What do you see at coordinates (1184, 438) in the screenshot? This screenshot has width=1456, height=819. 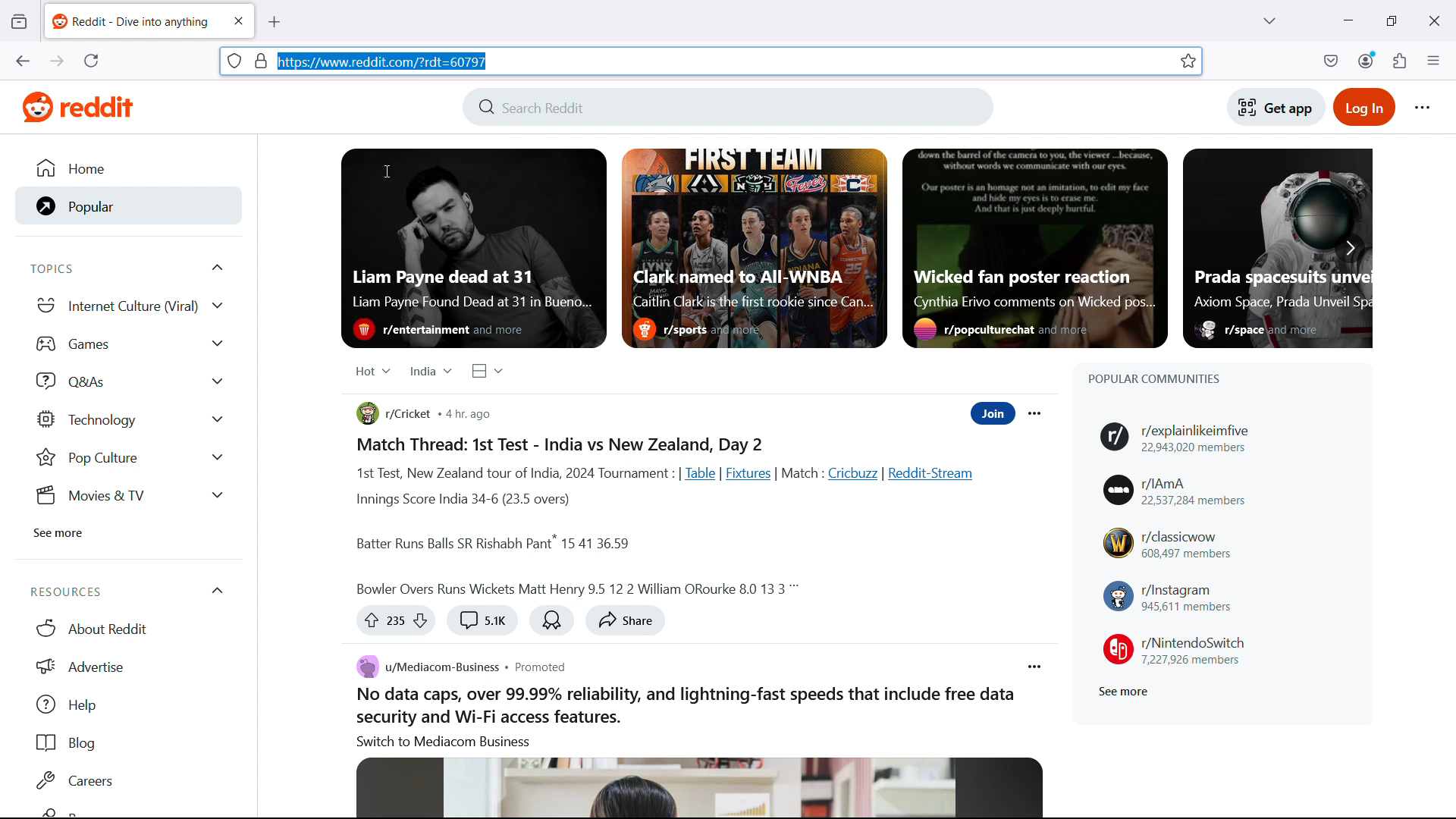 I see `r/explainlikeimfive` at bounding box center [1184, 438].